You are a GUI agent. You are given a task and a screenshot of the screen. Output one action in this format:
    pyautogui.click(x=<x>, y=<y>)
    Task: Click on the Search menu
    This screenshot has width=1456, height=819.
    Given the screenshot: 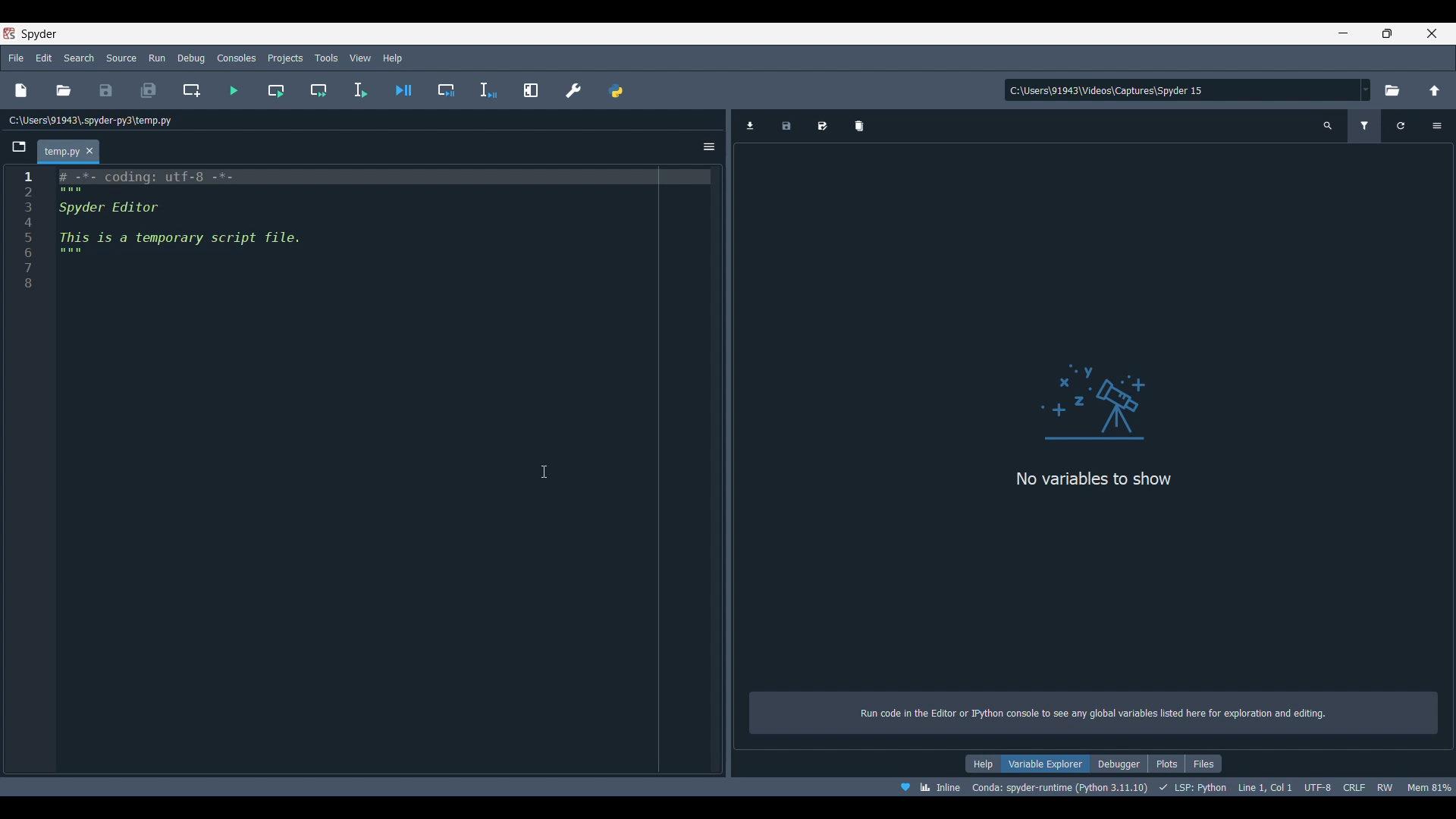 What is the action you would take?
    pyautogui.click(x=78, y=58)
    